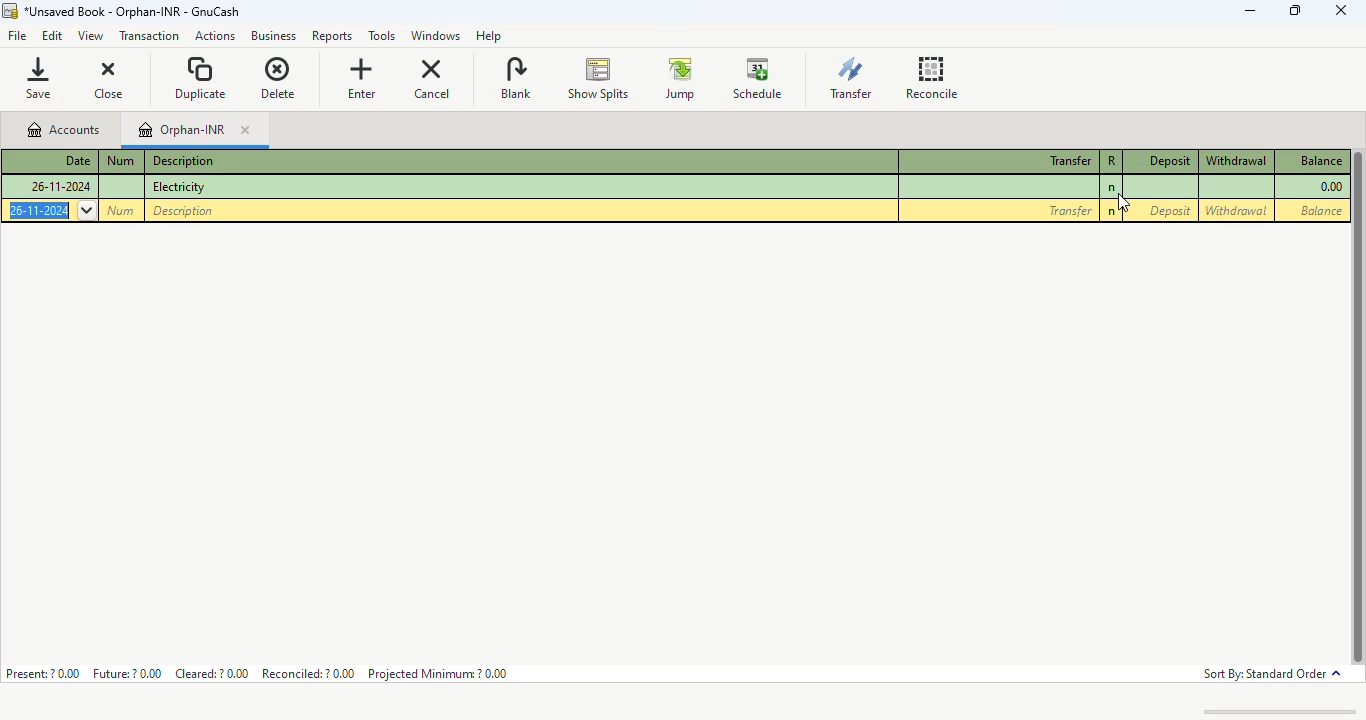 This screenshot has width=1366, height=720. Describe the element at coordinates (437, 673) in the screenshot. I see `projected minimum: ? 0.00` at that location.